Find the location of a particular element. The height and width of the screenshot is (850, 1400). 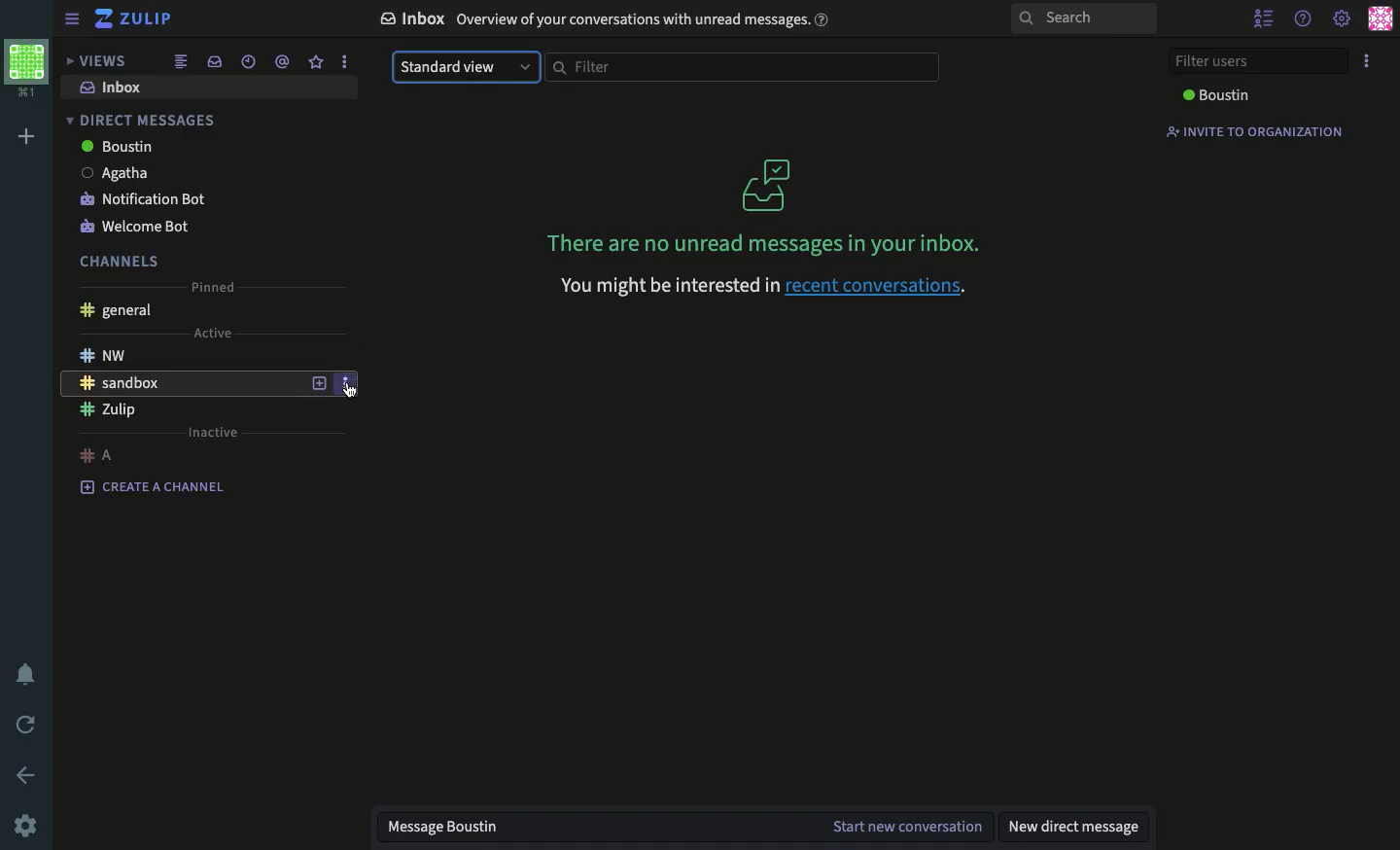

inactive is located at coordinates (214, 433).